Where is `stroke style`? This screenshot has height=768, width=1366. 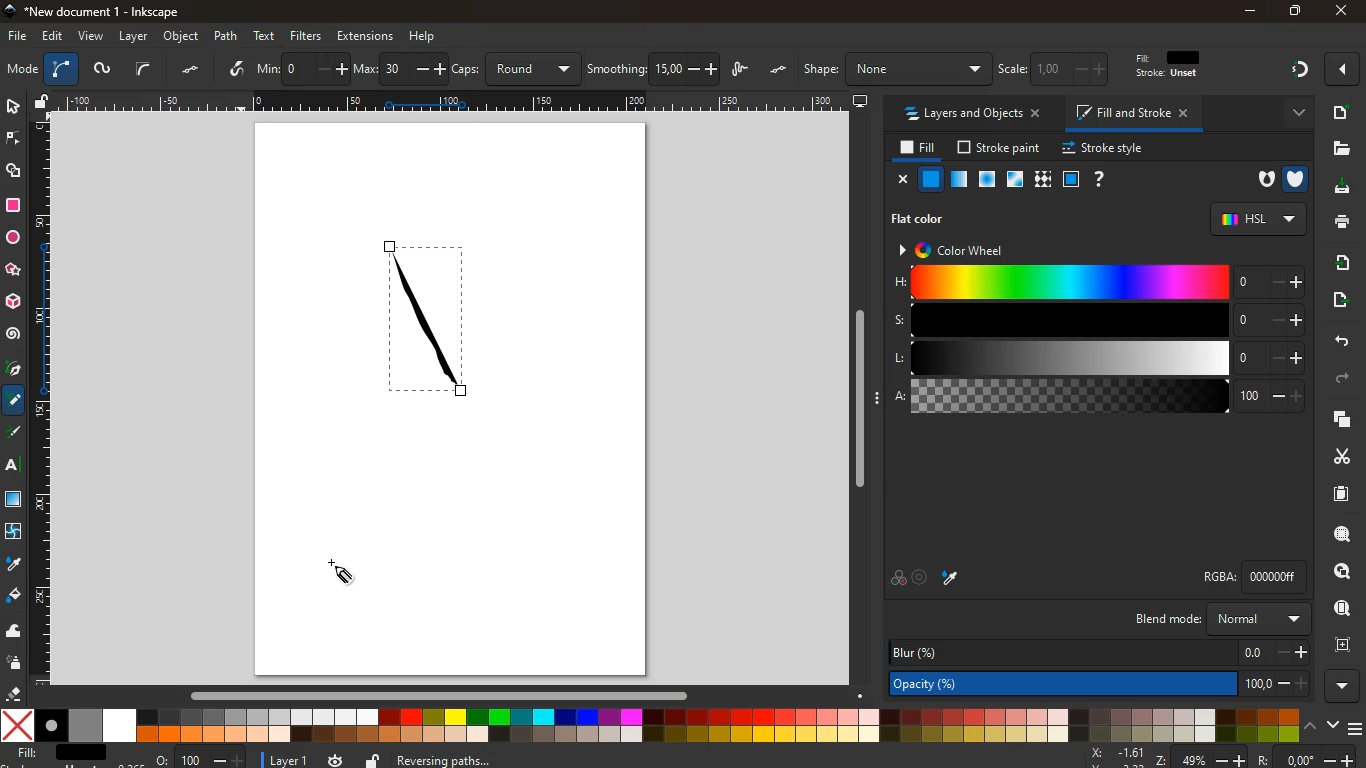
stroke style is located at coordinates (1106, 149).